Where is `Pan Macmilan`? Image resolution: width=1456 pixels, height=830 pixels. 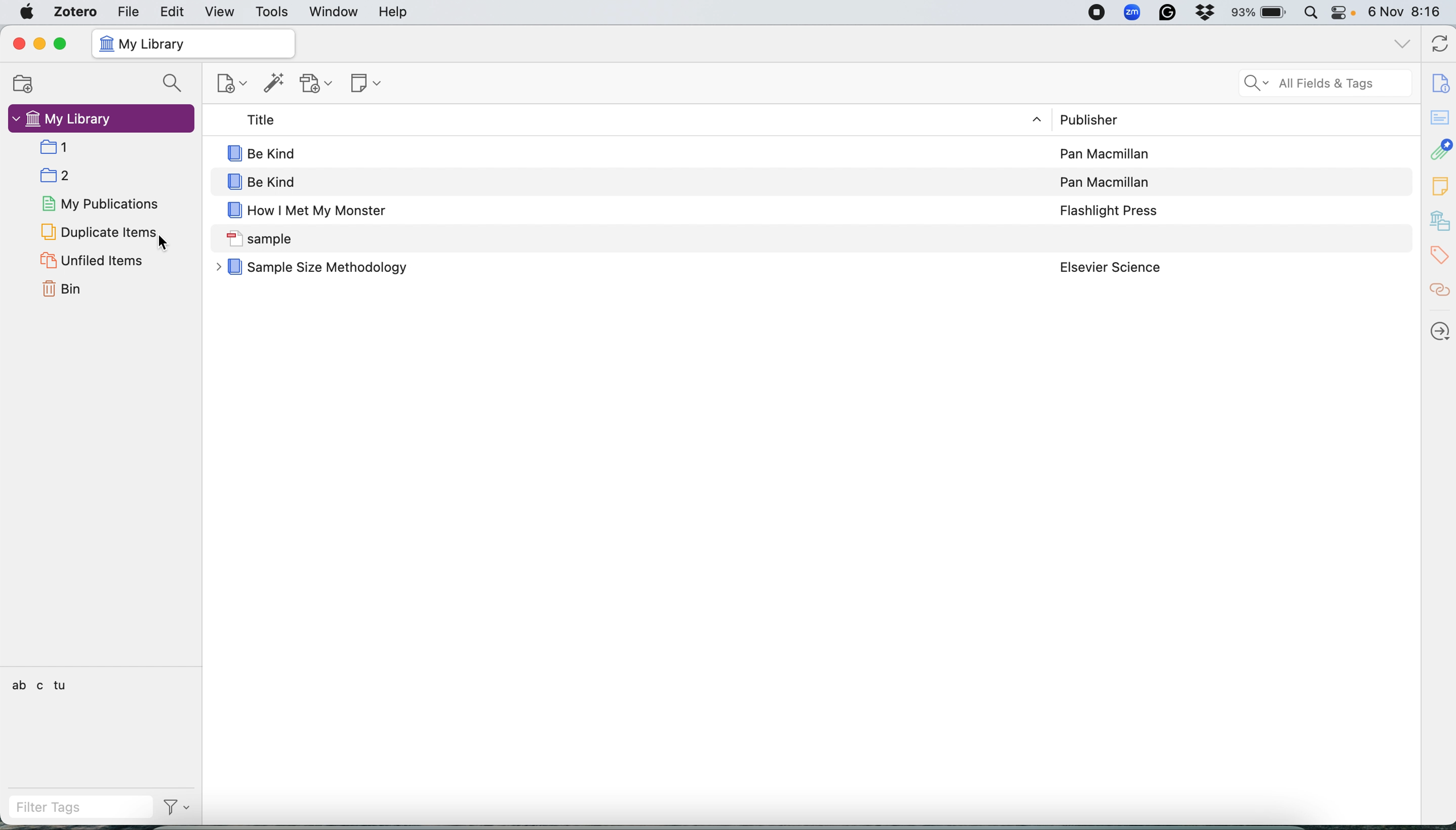
Pan Macmilan is located at coordinates (1104, 178).